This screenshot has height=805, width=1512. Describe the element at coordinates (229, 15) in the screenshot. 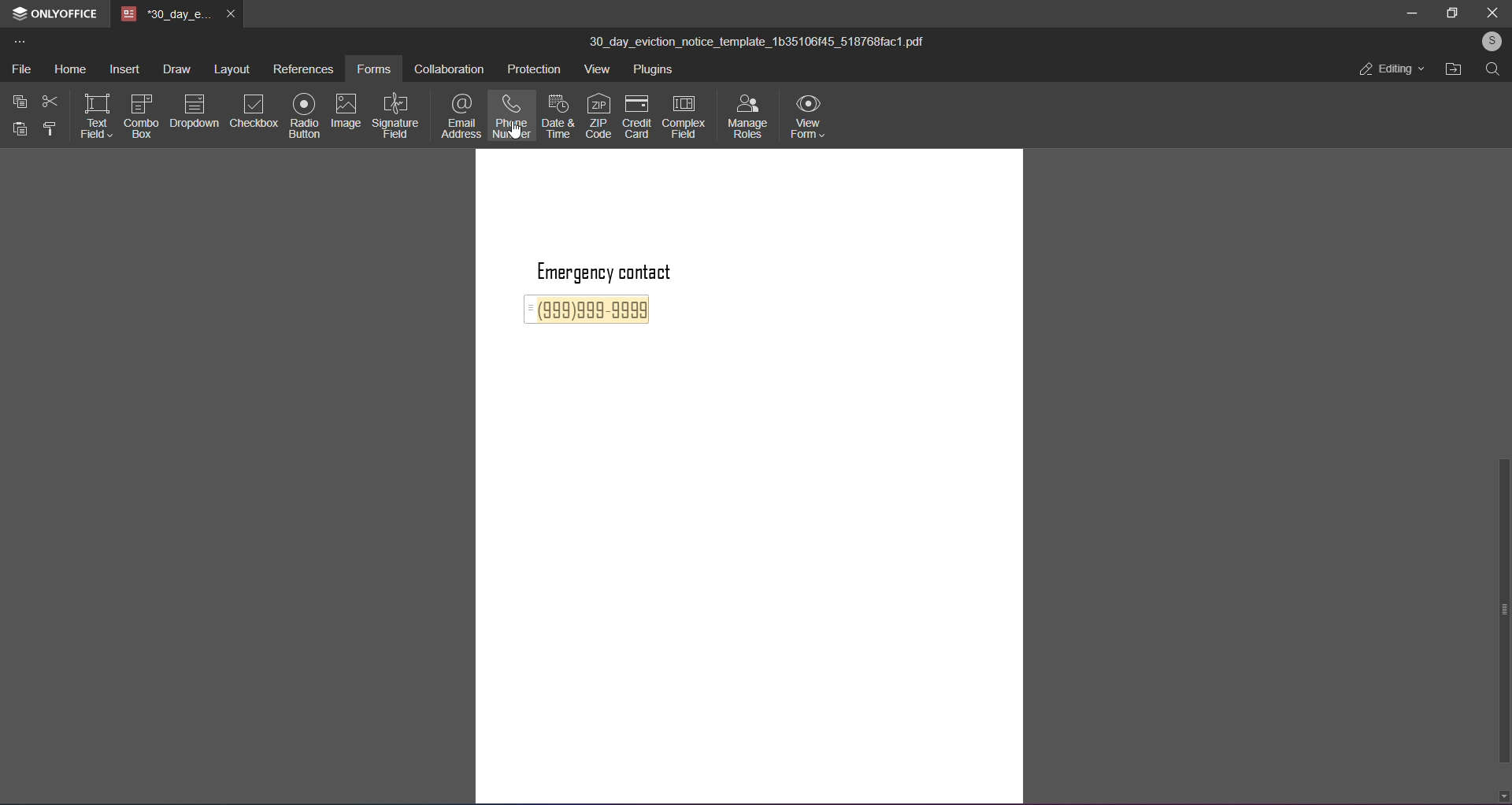

I see `close tab` at that location.